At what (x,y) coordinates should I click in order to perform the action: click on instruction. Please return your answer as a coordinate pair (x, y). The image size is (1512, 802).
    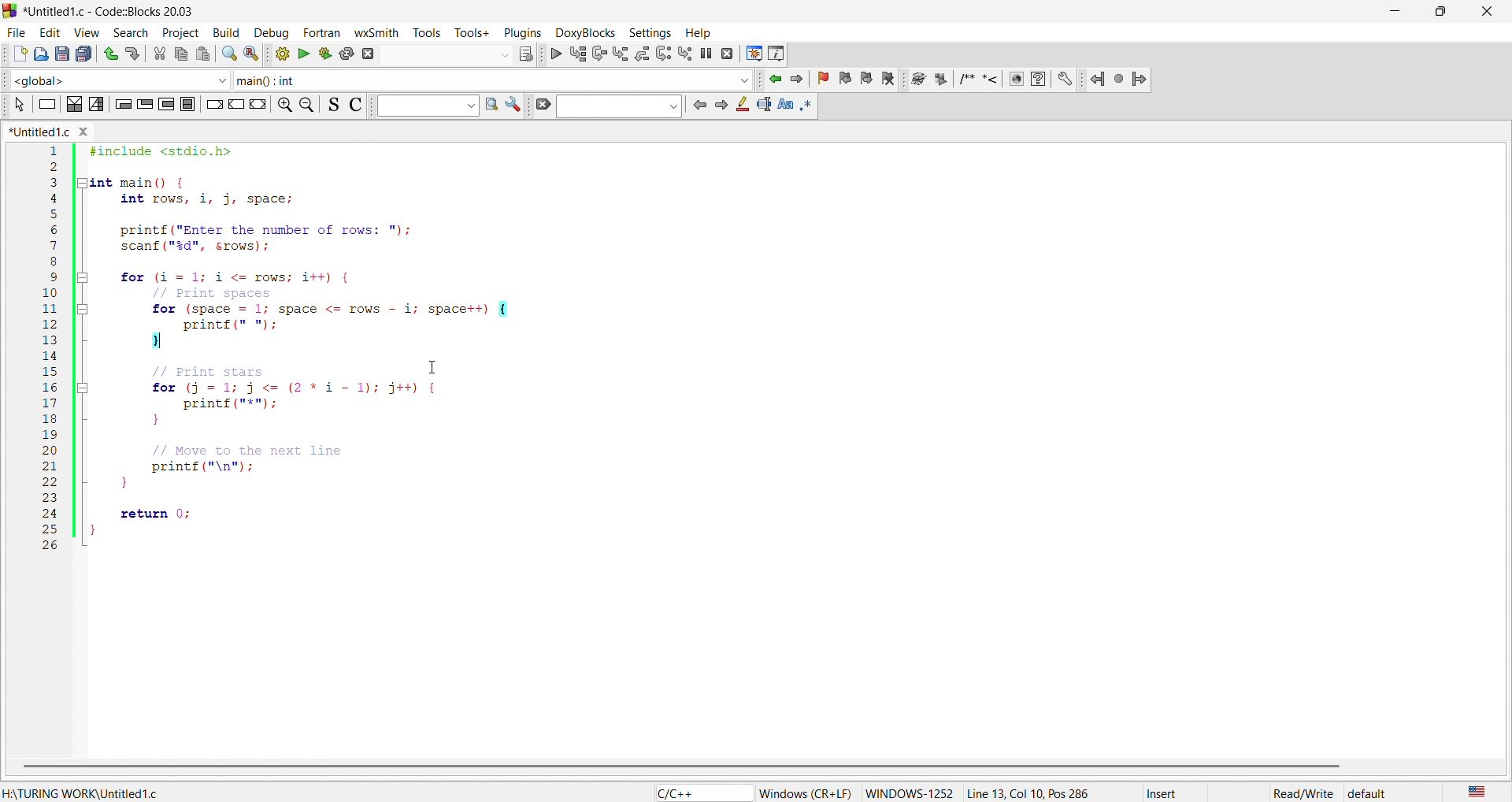
    Looking at the image, I should click on (45, 105).